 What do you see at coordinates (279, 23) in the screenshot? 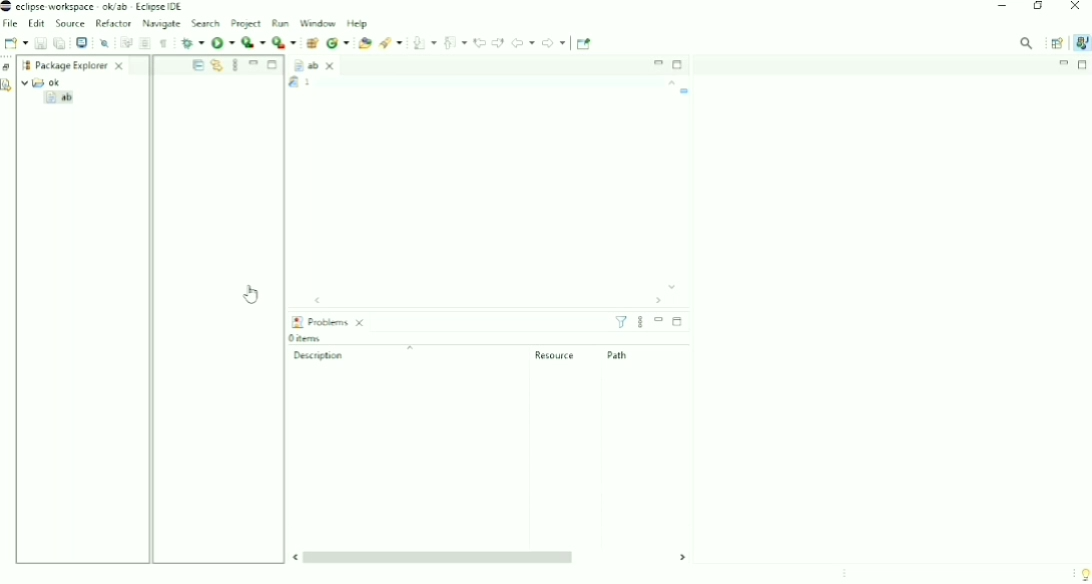
I see `Run` at bounding box center [279, 23].